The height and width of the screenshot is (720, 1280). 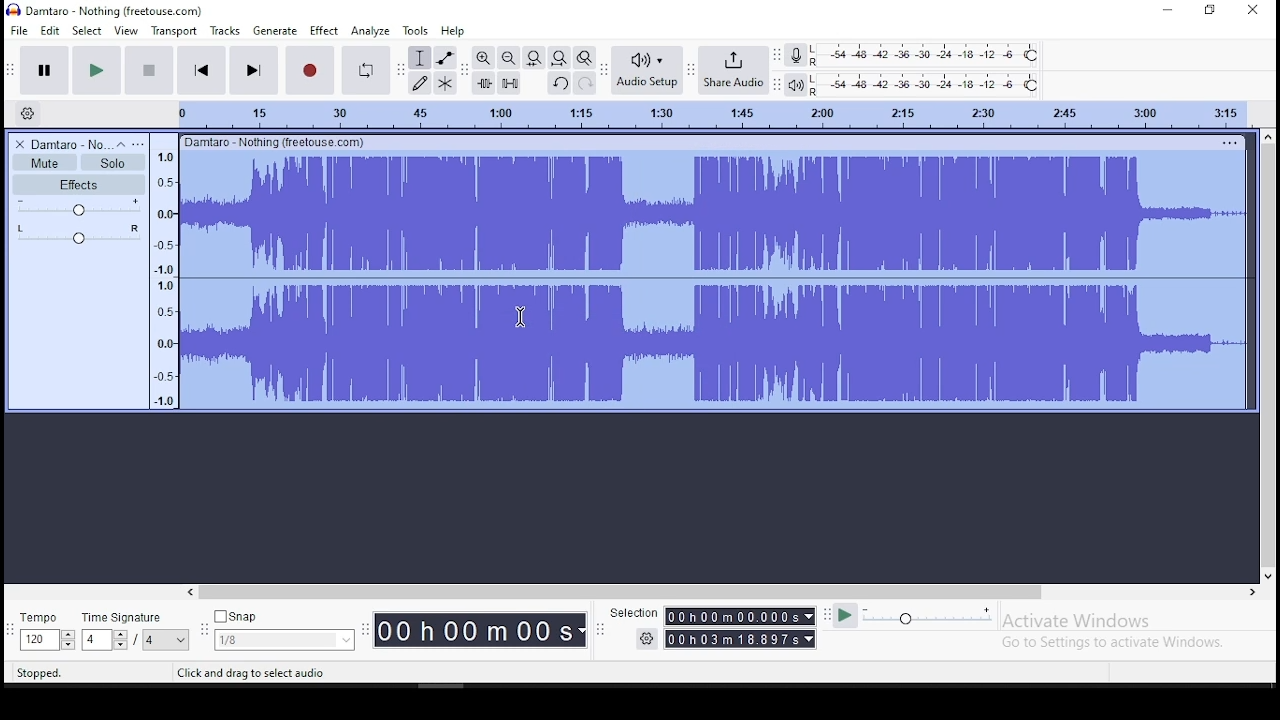 I want to click on minimize, so click(x=1162, y=11).